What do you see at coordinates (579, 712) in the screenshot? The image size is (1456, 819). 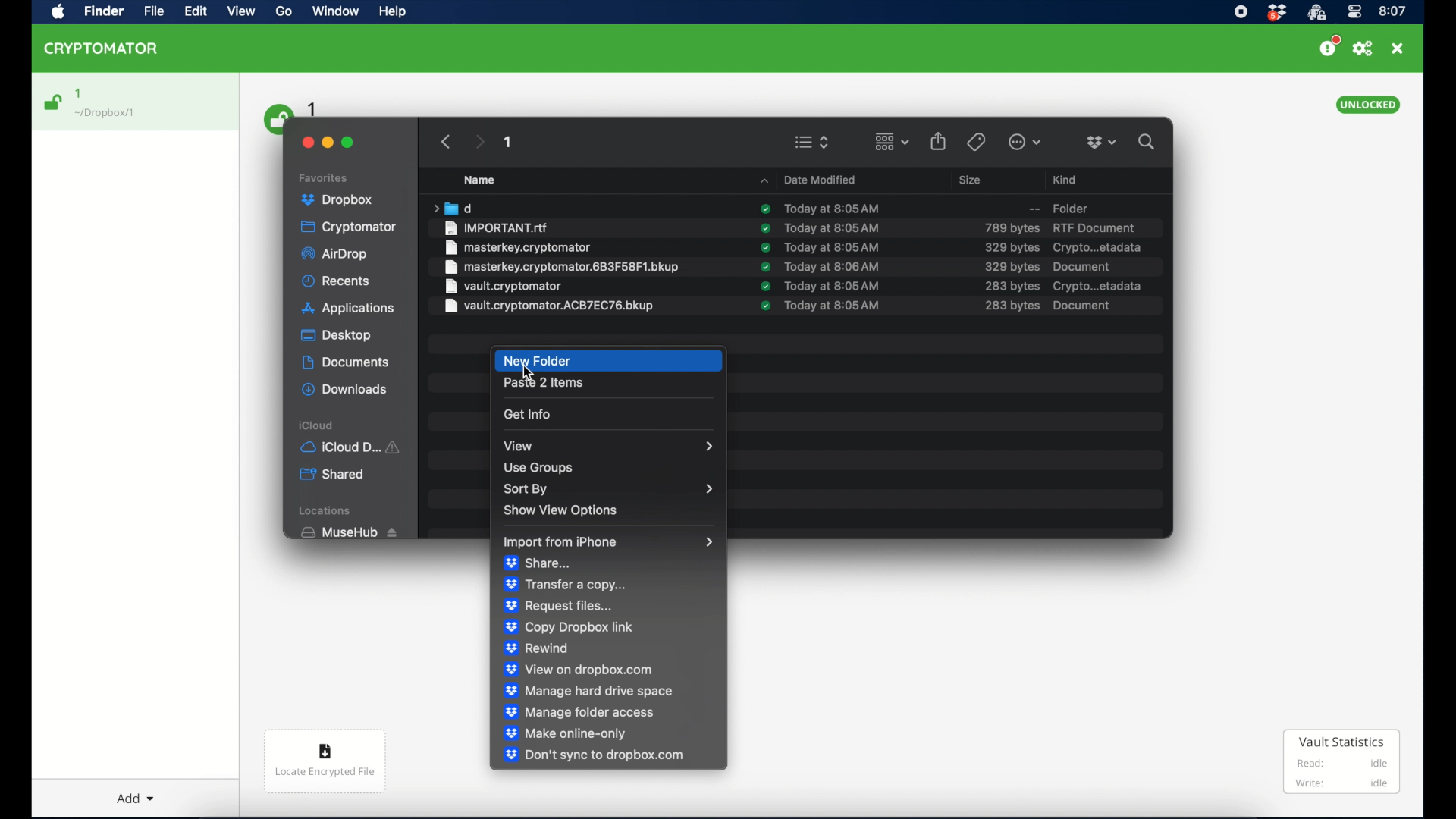 I see `manage folder access` at bounding box center [579, 712].